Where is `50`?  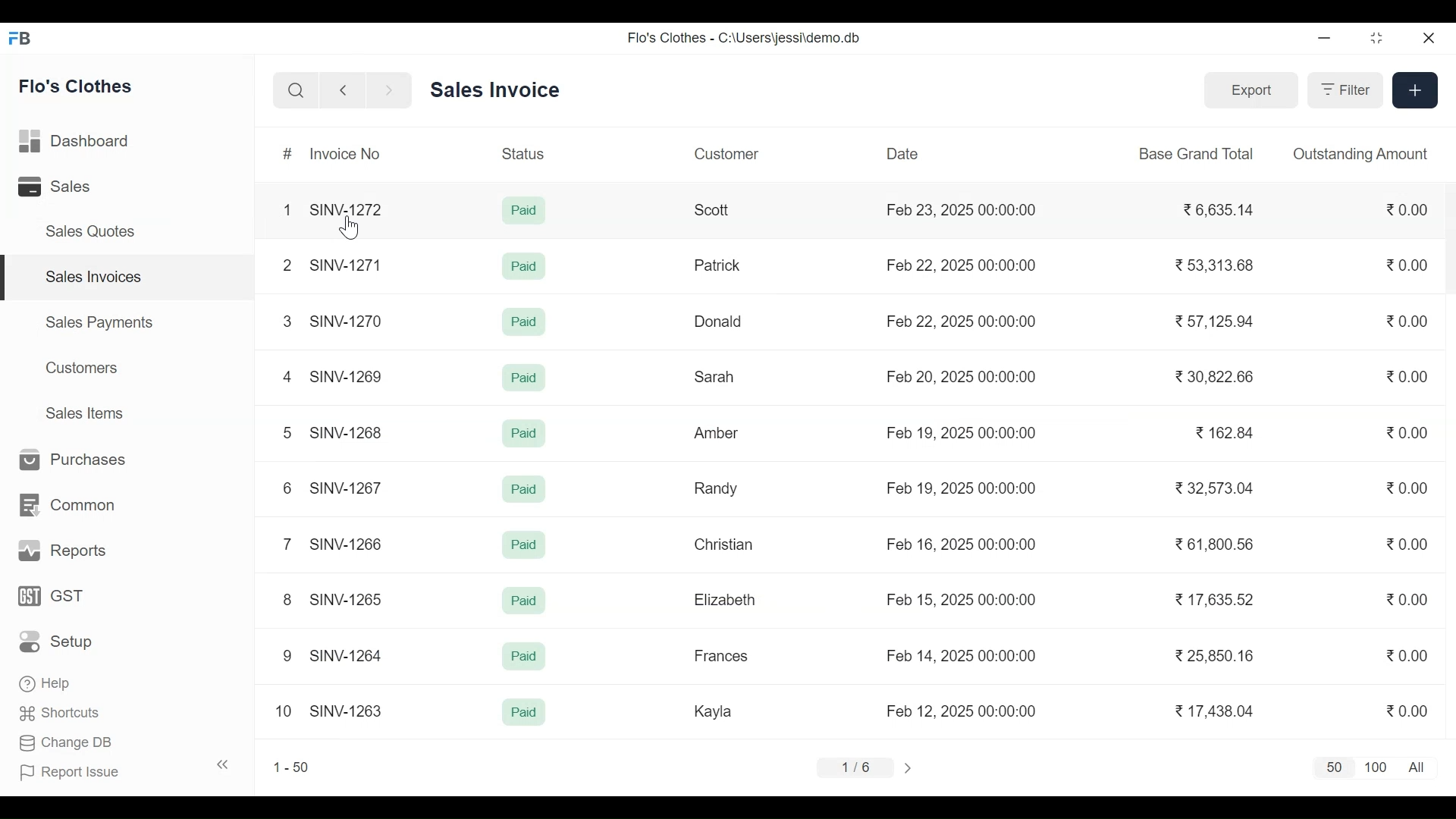 50 is located at coordinates (1335, 767).